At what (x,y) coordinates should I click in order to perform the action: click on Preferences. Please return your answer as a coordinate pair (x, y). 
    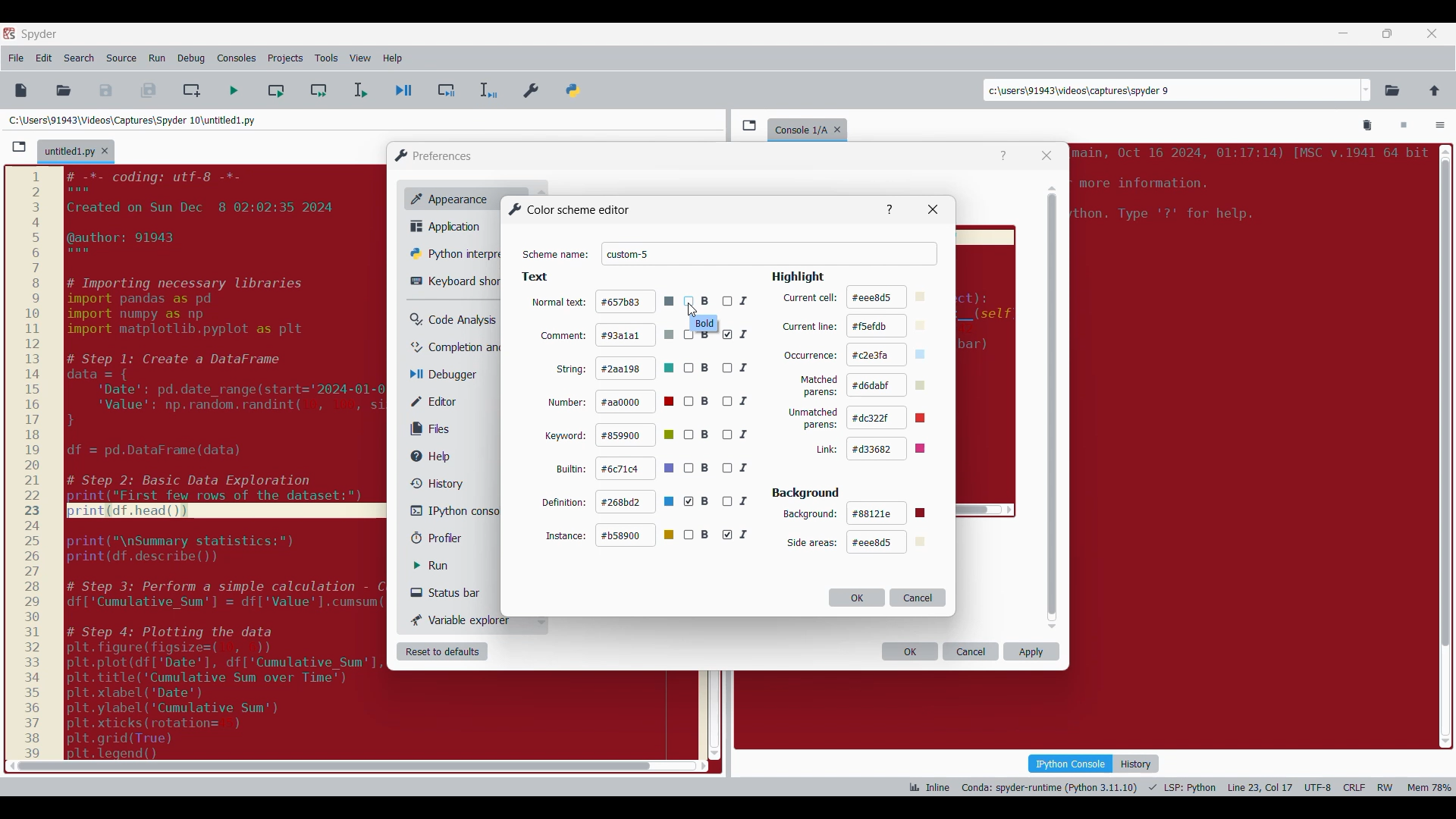
    Looking at the image, I should click on (532, 87).